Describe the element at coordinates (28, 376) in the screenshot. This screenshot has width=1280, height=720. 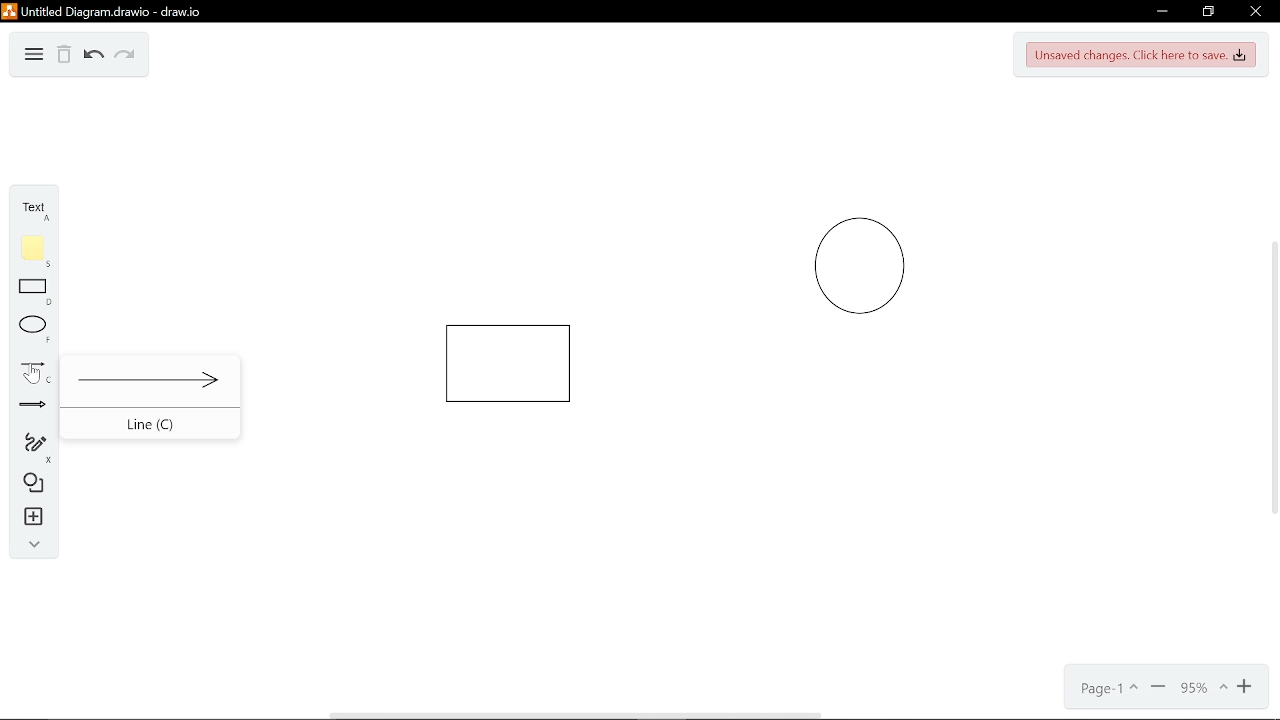
I see `Cursor` at that location.